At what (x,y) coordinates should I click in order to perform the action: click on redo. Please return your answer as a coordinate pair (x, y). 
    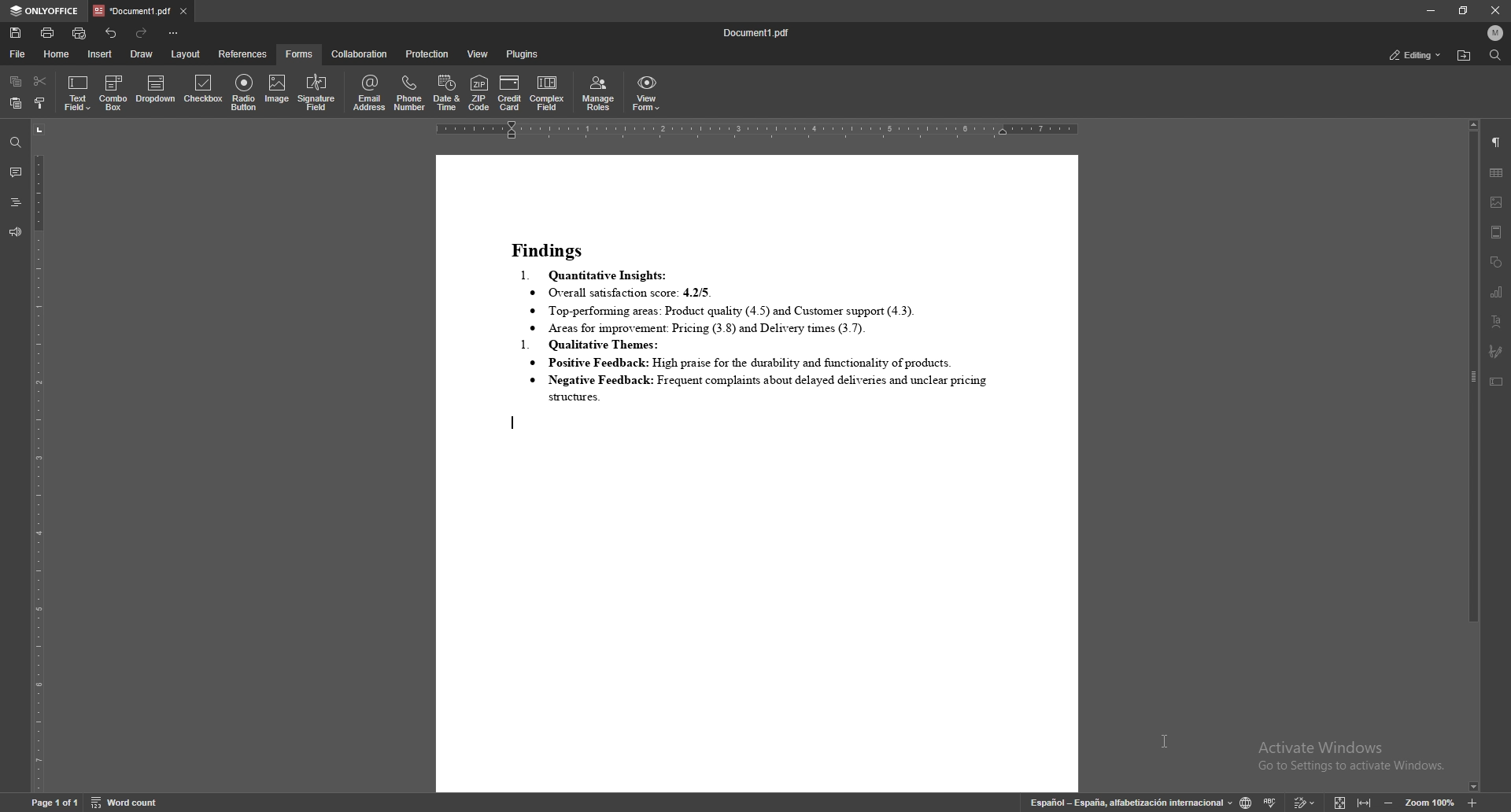
    Looking at the image, I should click on (144, 32).